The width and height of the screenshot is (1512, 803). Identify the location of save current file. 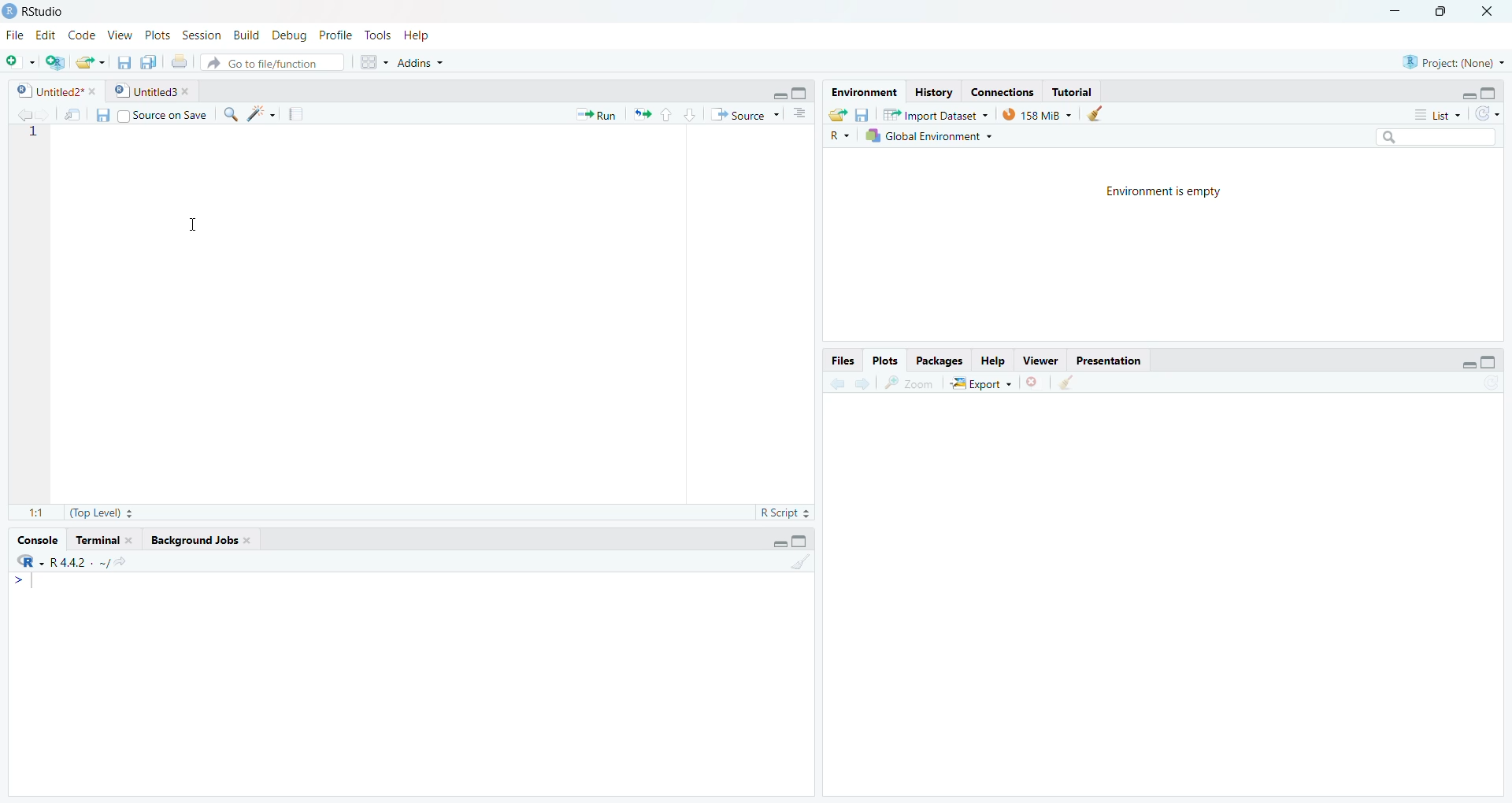
(124, 60).